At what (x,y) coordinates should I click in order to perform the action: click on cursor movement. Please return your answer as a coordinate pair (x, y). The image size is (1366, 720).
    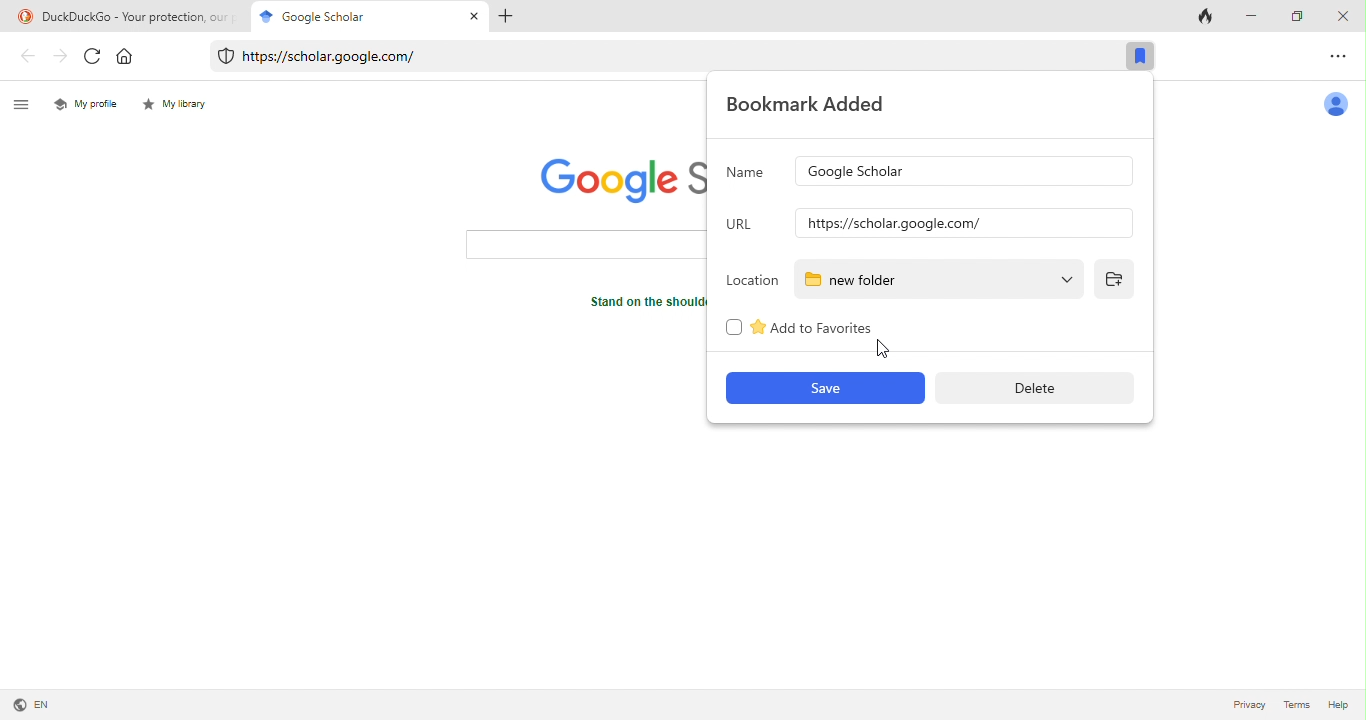
    Looking at the image, I should click on (391, 17).